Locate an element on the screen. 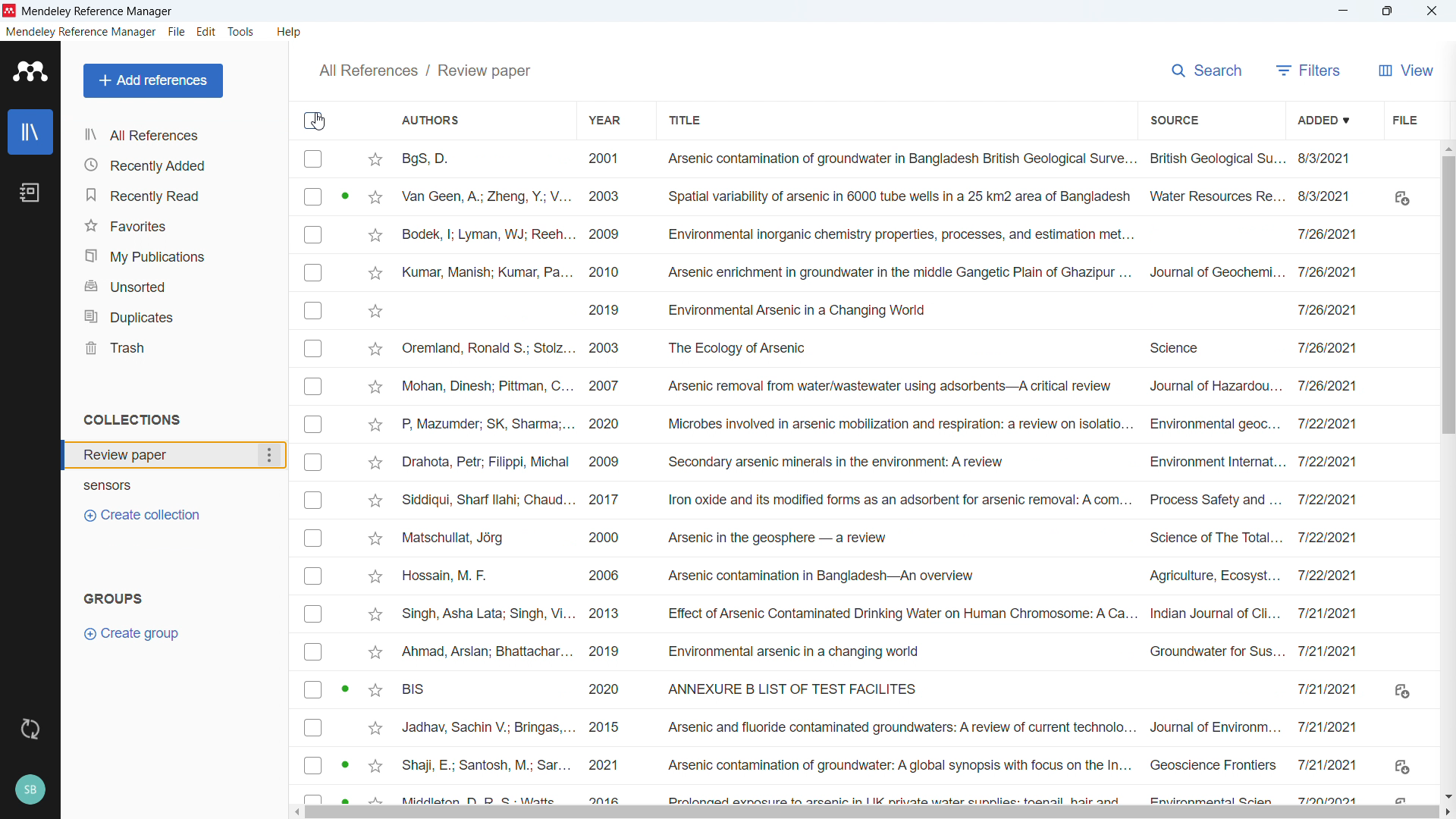 This screenshot has width=1456, height=819. edit is located at coordinates (206, 33).